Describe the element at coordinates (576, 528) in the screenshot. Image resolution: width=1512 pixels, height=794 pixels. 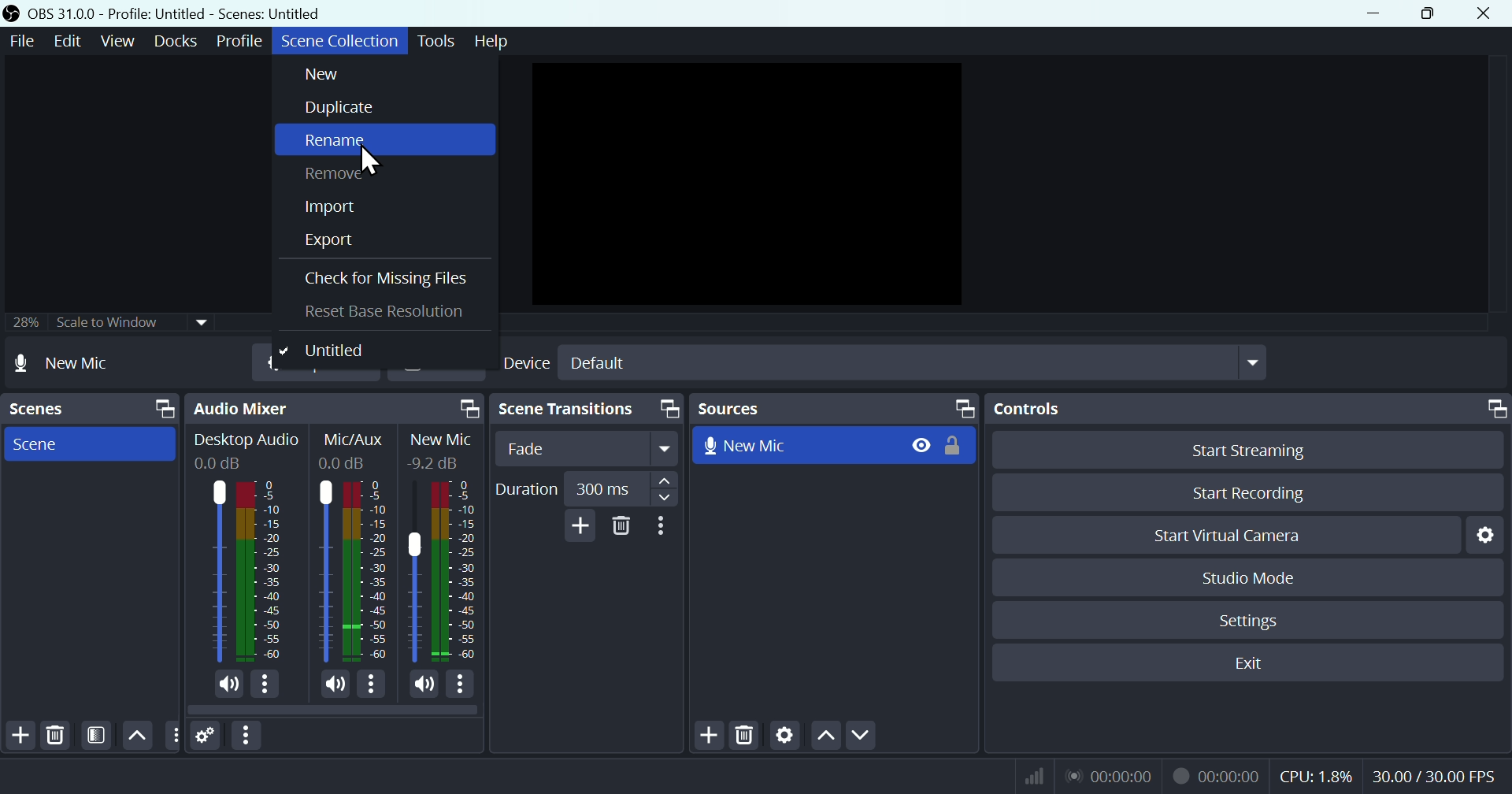
I see `Add ` at that location.